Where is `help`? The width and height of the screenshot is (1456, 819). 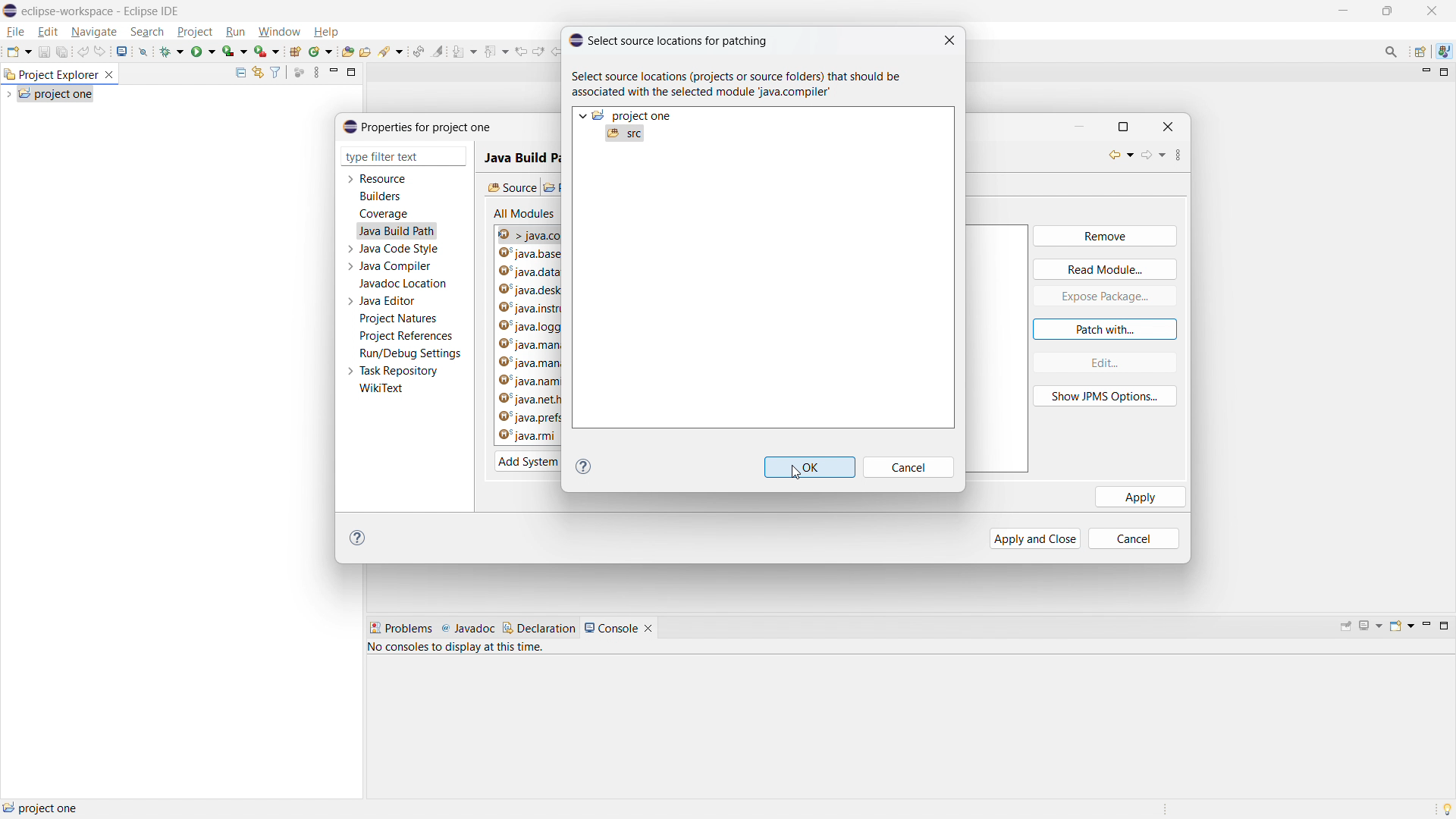
help is located at coordinates (361, 538).